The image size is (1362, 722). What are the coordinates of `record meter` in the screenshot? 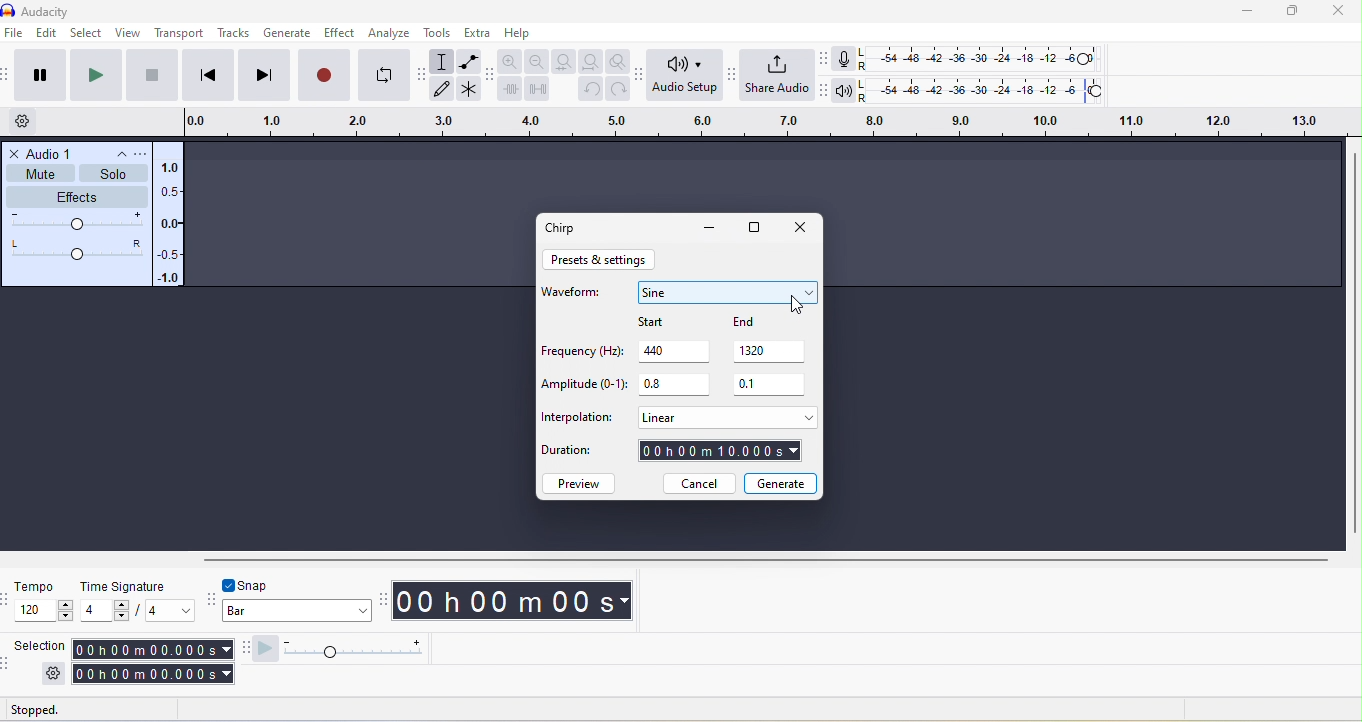 It's located at (848, 58).